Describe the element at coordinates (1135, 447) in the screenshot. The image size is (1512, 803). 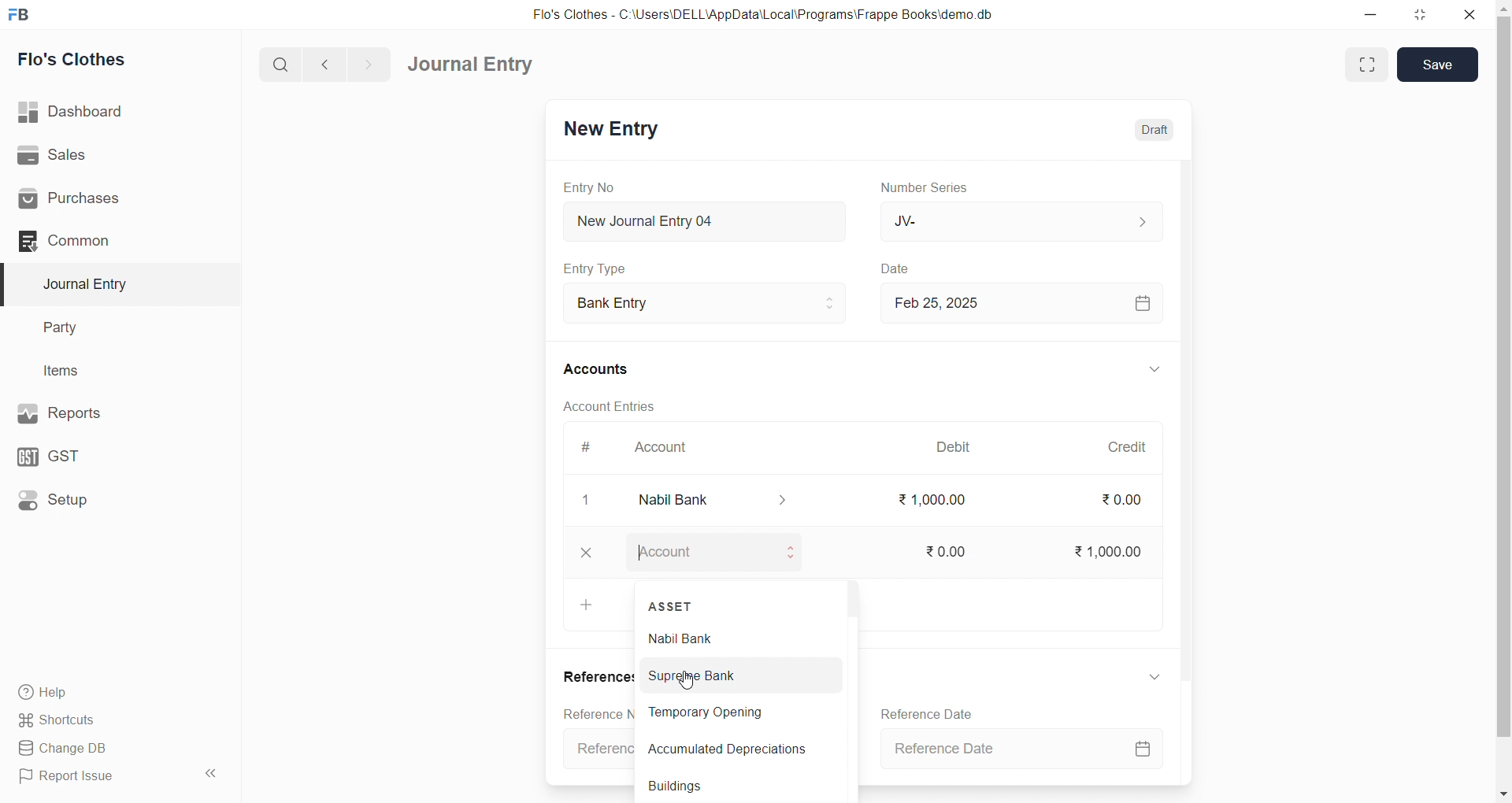
I see `Credit` at that location.